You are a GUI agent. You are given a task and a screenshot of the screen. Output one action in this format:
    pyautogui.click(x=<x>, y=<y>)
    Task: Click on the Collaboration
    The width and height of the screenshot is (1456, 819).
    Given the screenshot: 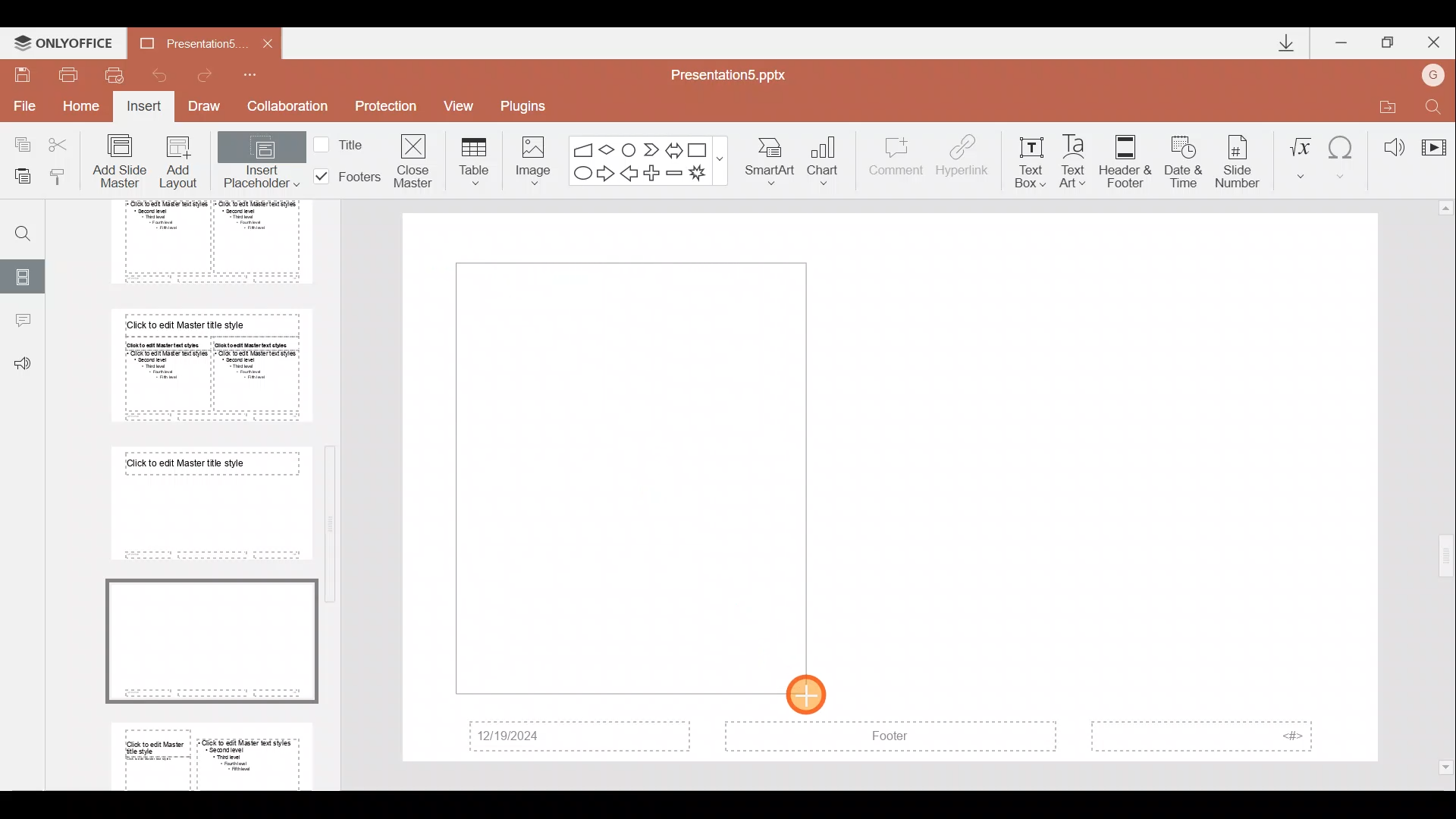 What is the action you would take?
    pyautogui.click(x=287, y=106)
    